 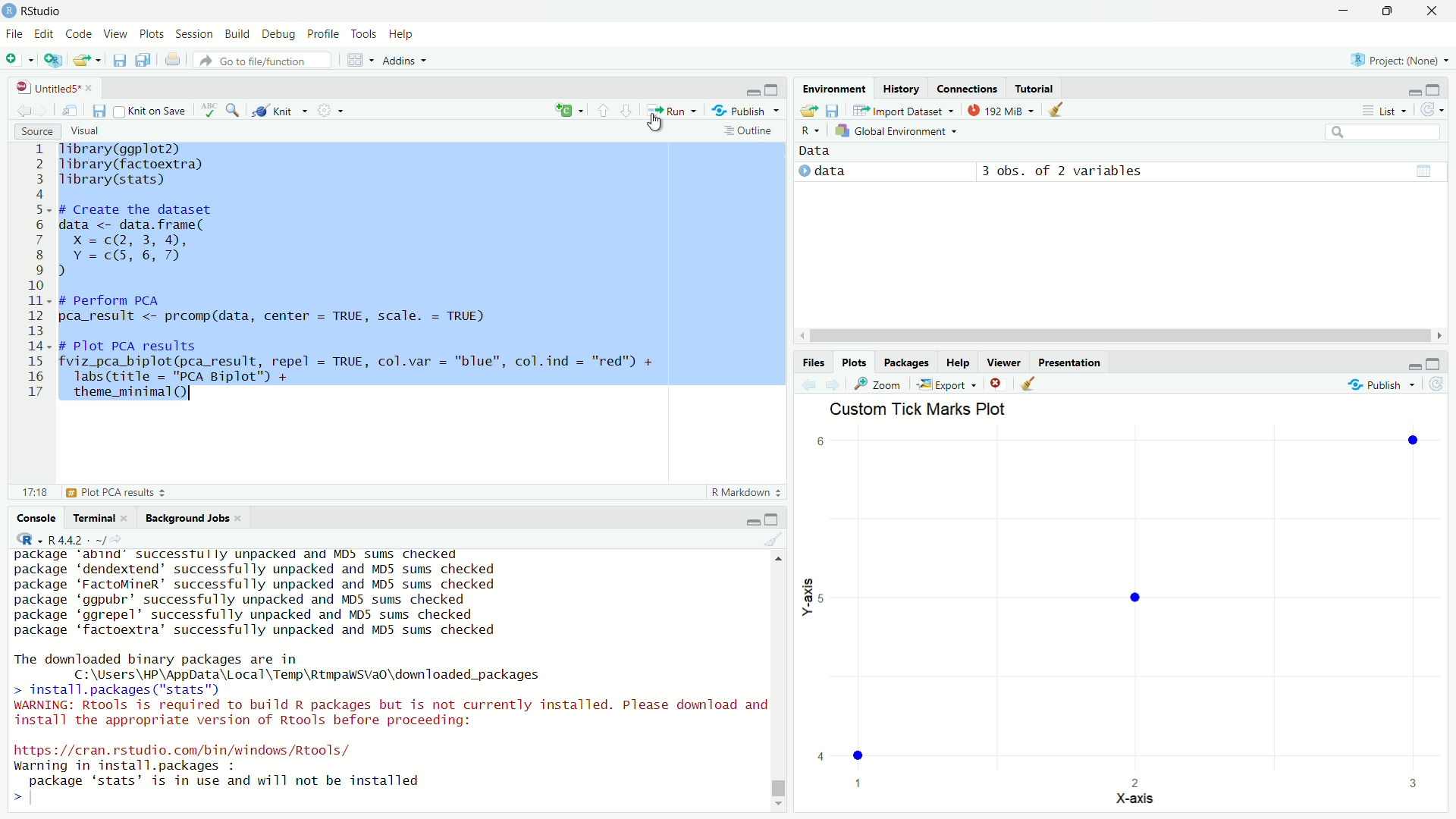 What do you see at coordinates (959, 362) in the screenshot?
I see `Help` at bounding box center [959, 362].